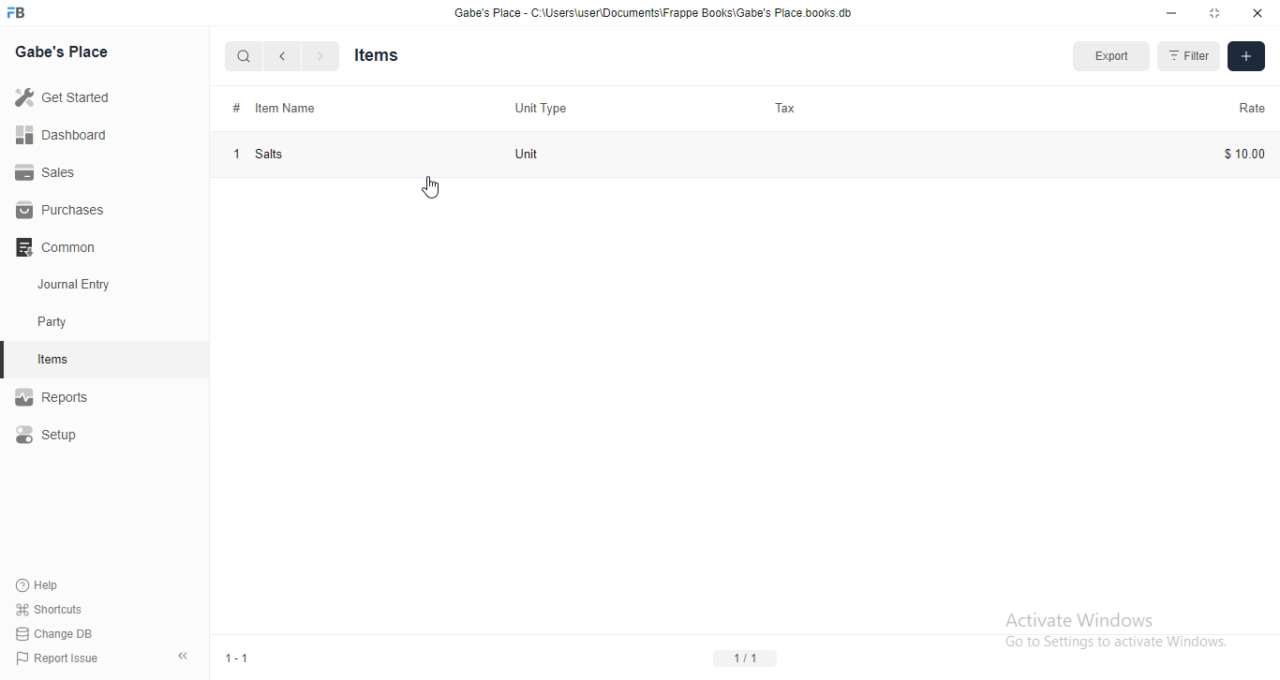 This screenshot has width=1280, height=680. I want to click on logo, so click(16, 12).